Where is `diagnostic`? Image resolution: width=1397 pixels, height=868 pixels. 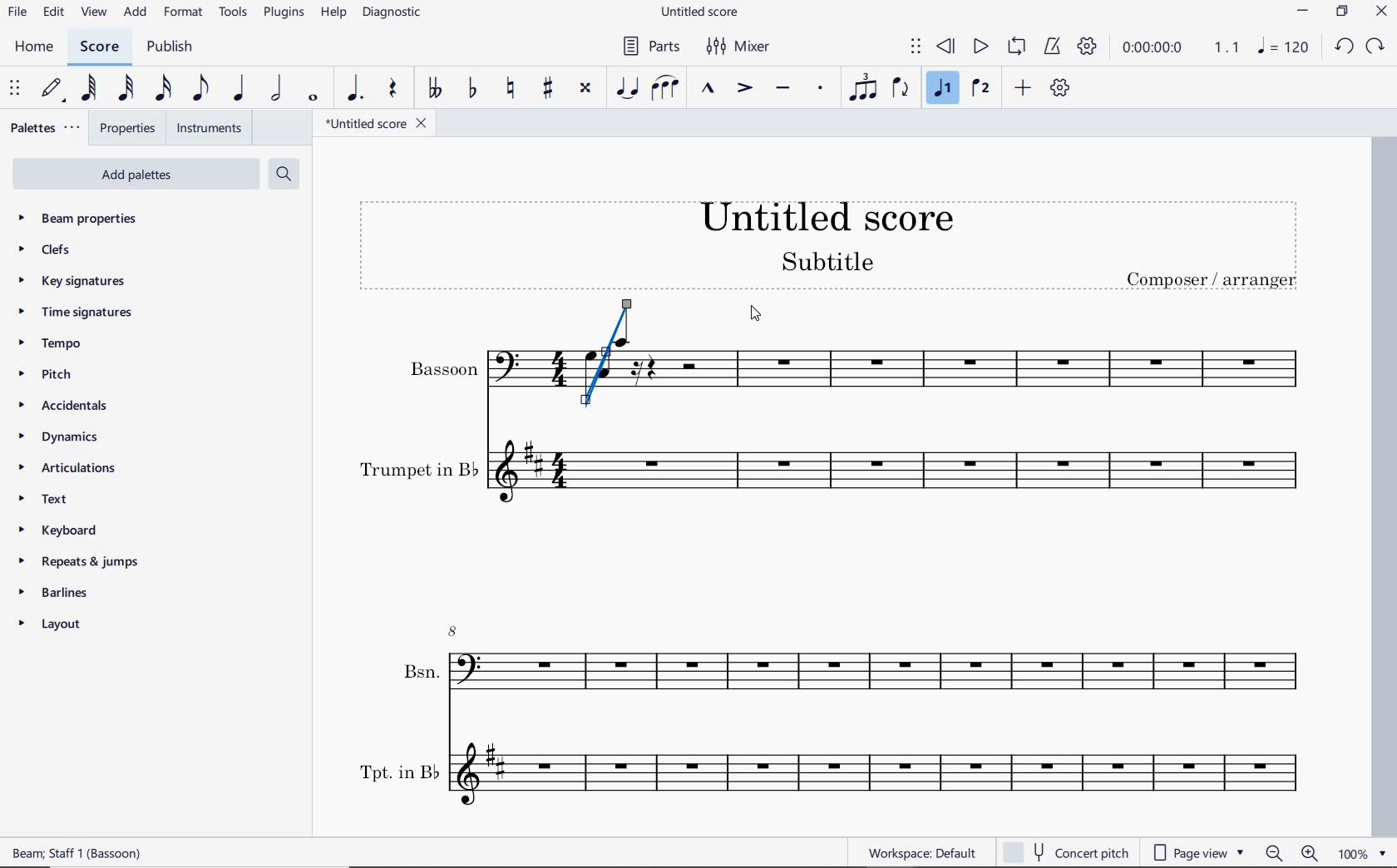 diagnostic is located at coordinates (392, 13).